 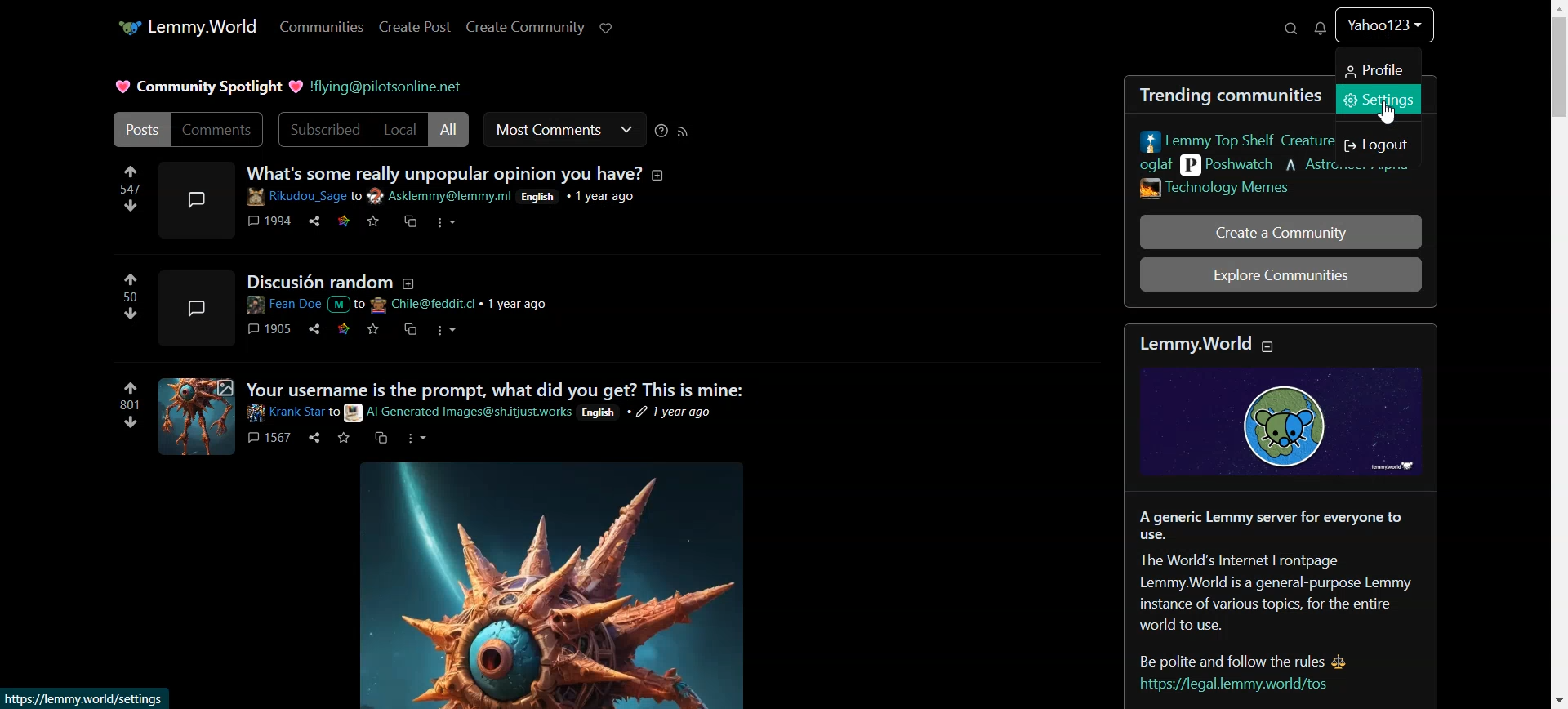 I want to click on All, so click(x=449, y=130).